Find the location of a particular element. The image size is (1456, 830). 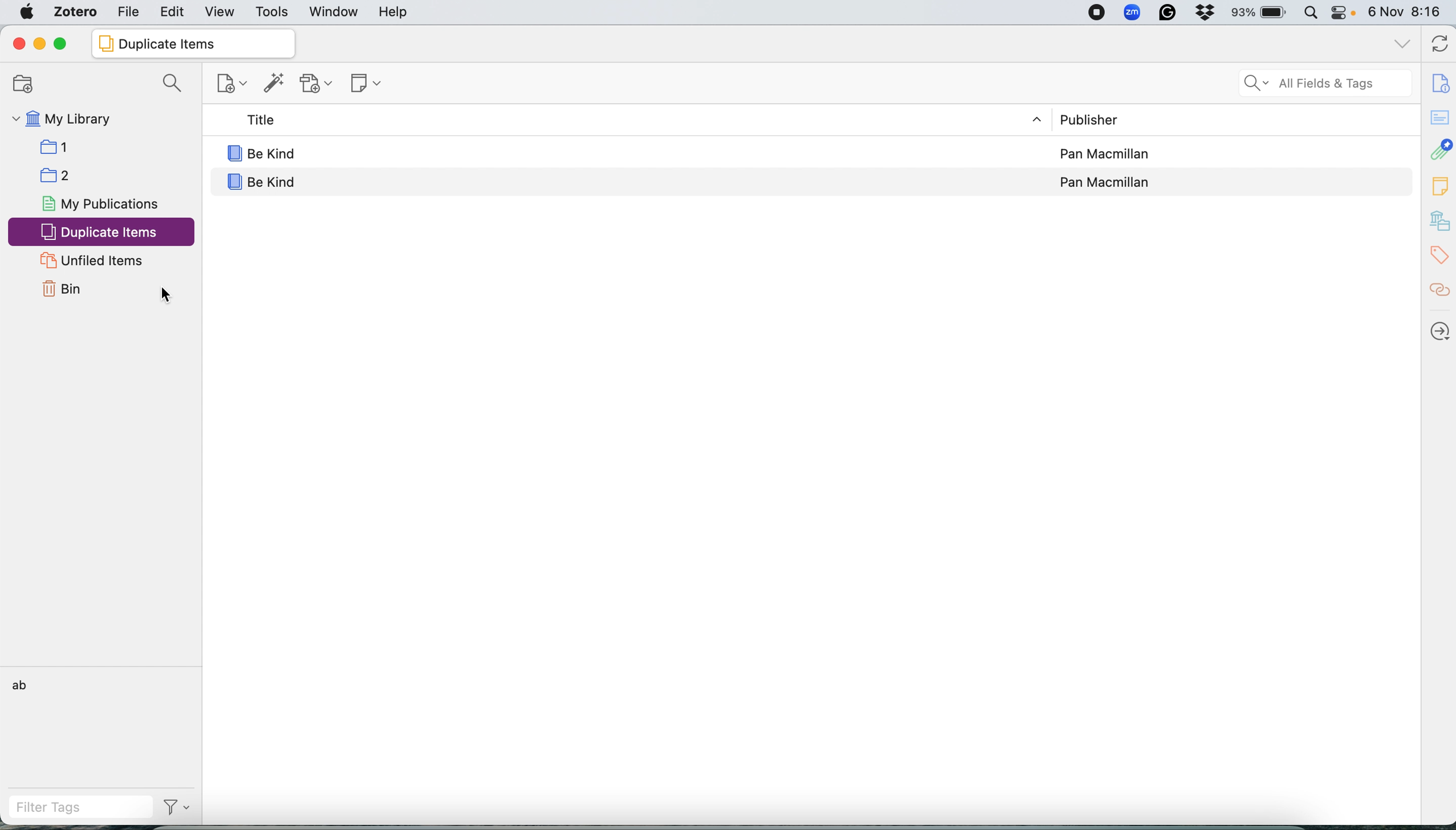

sort is located at coordinates (1028, 119).